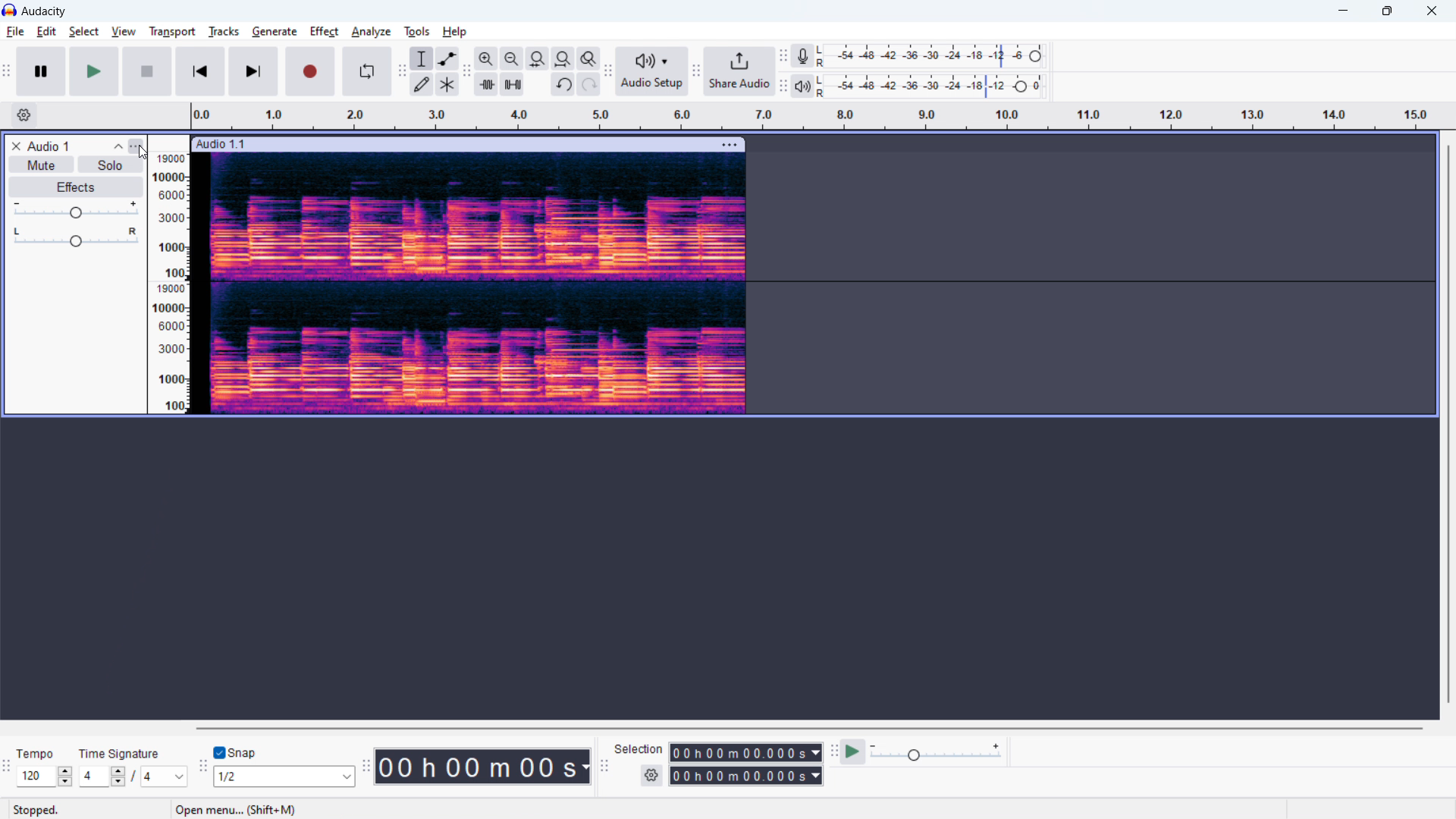 The height and width of the screenshot is (819, 1456). I want to click on audio setup, so click(651, 71).